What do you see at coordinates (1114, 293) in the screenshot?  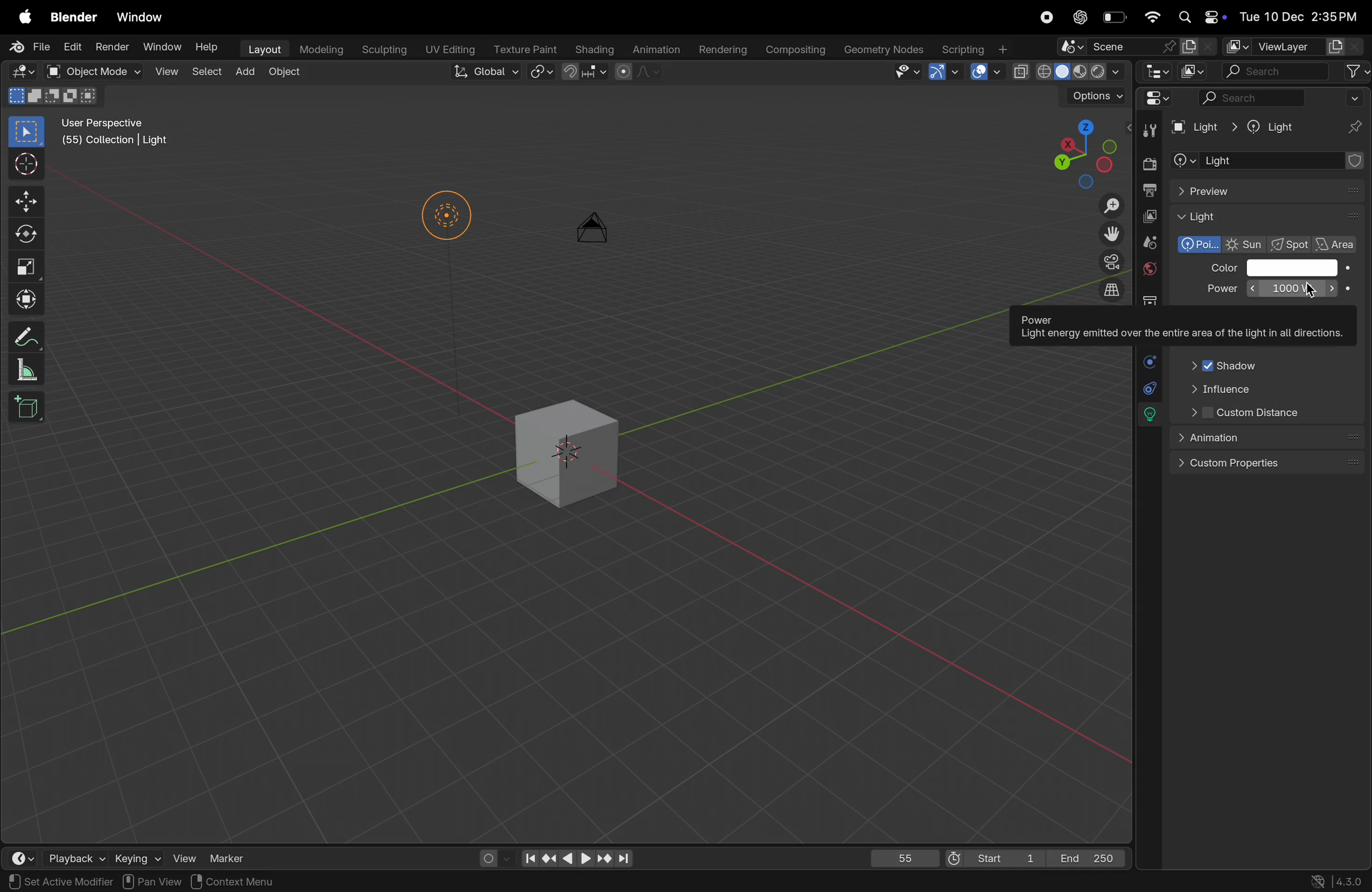 I see `orthographic view` at bounding box center [1114, 293].